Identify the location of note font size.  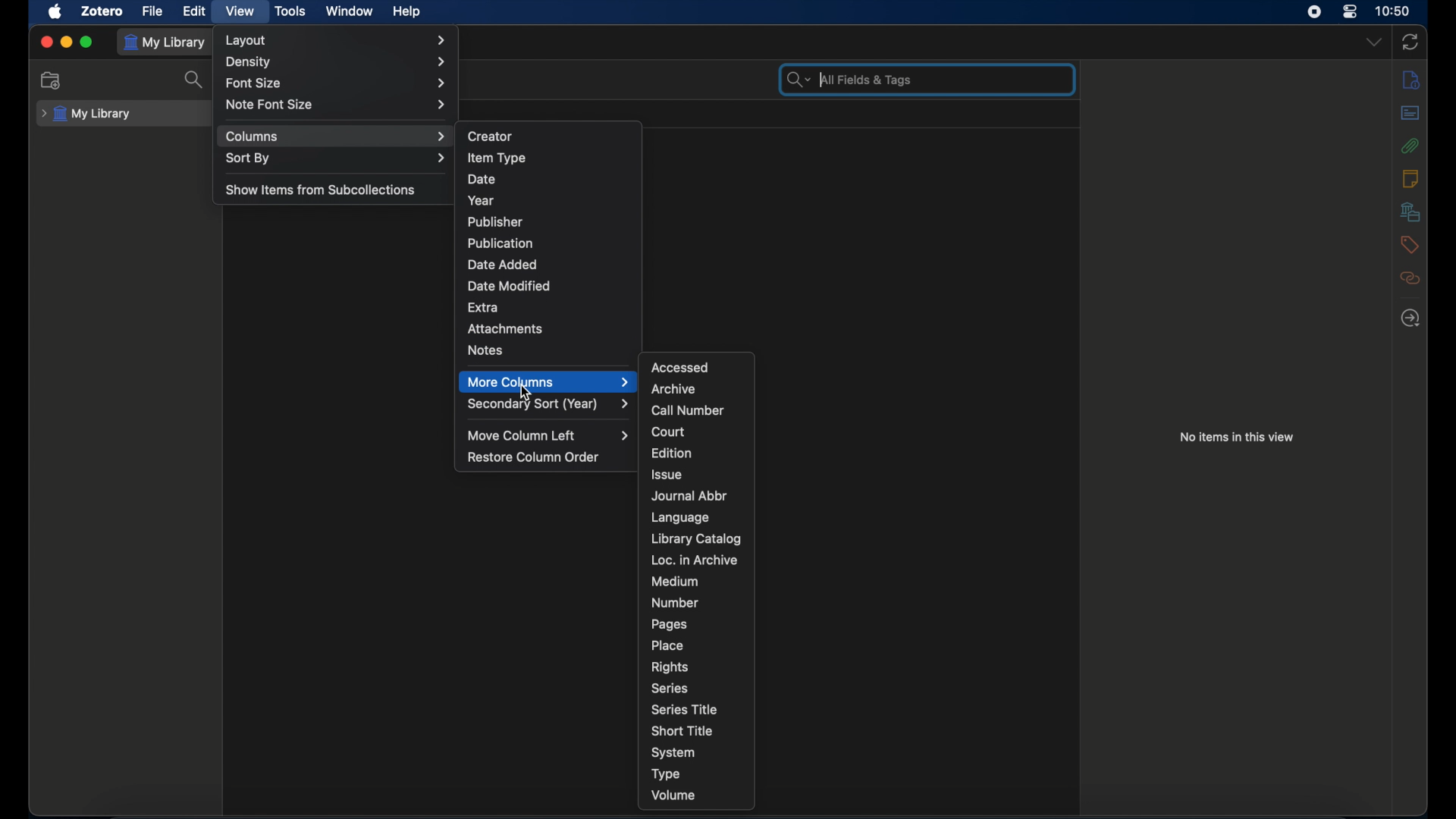
(337, 105).